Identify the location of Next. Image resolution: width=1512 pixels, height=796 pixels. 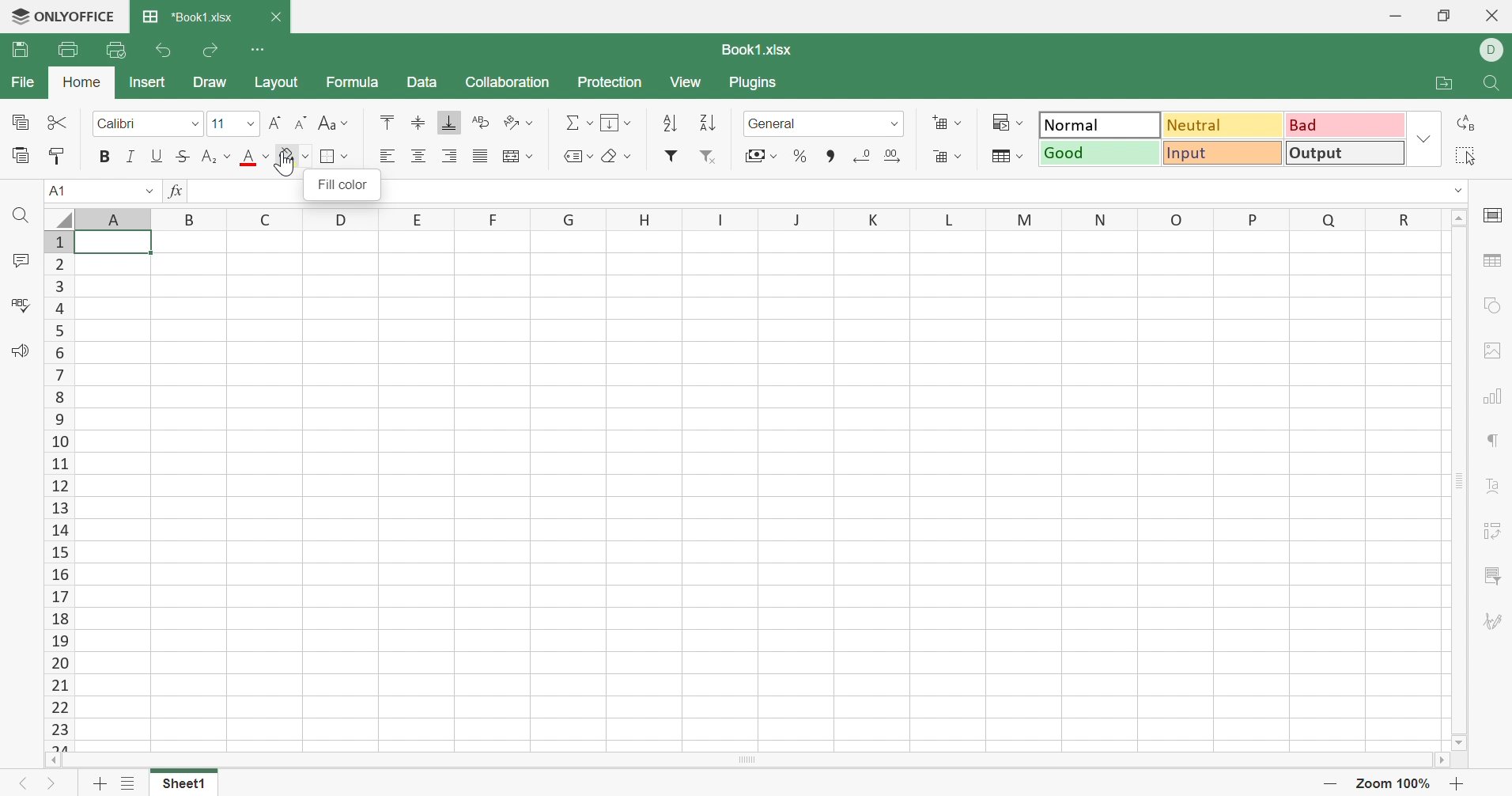
(54, 784).